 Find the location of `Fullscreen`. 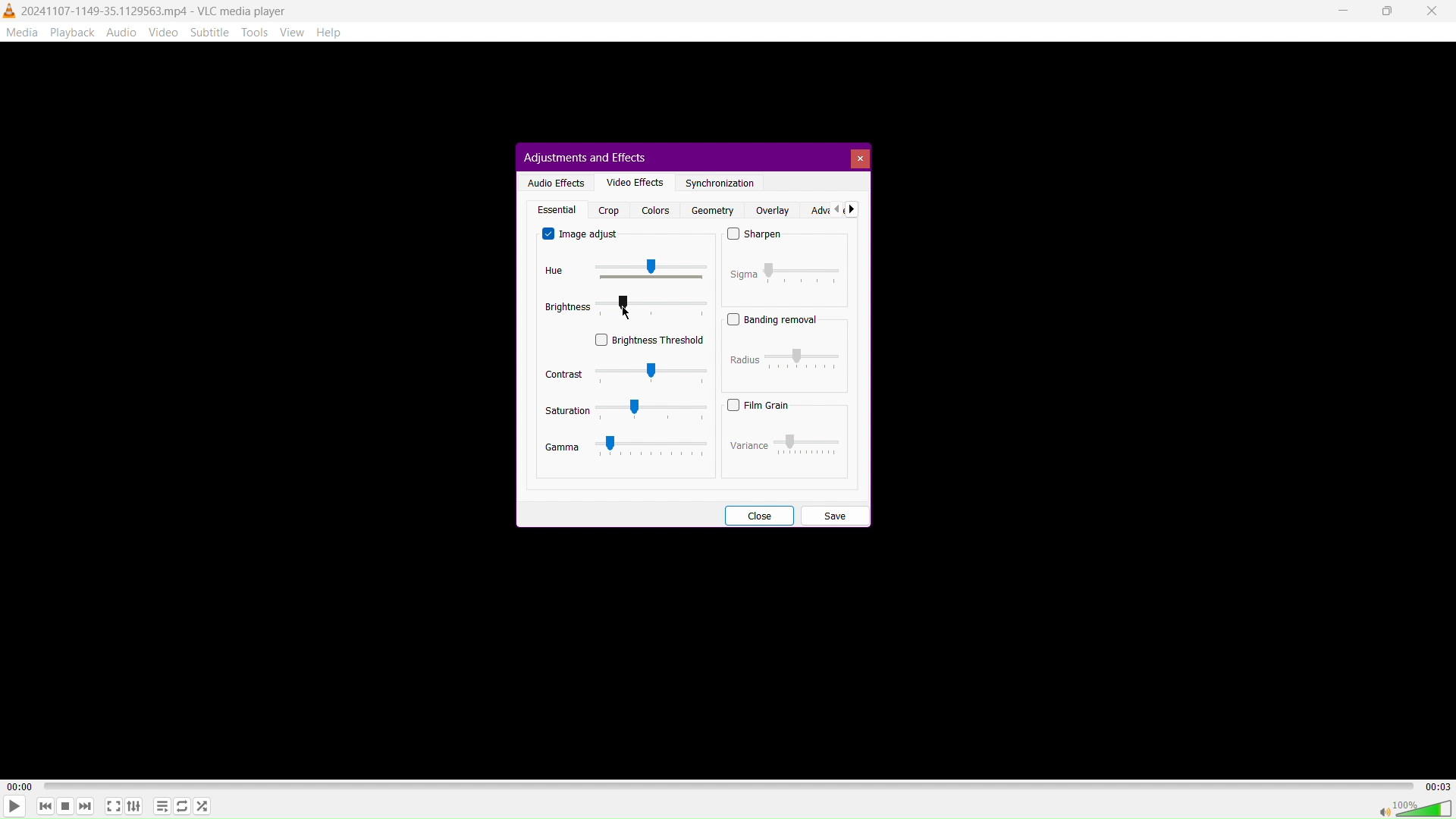

Fullscreen is located at coordinates (113, 806).